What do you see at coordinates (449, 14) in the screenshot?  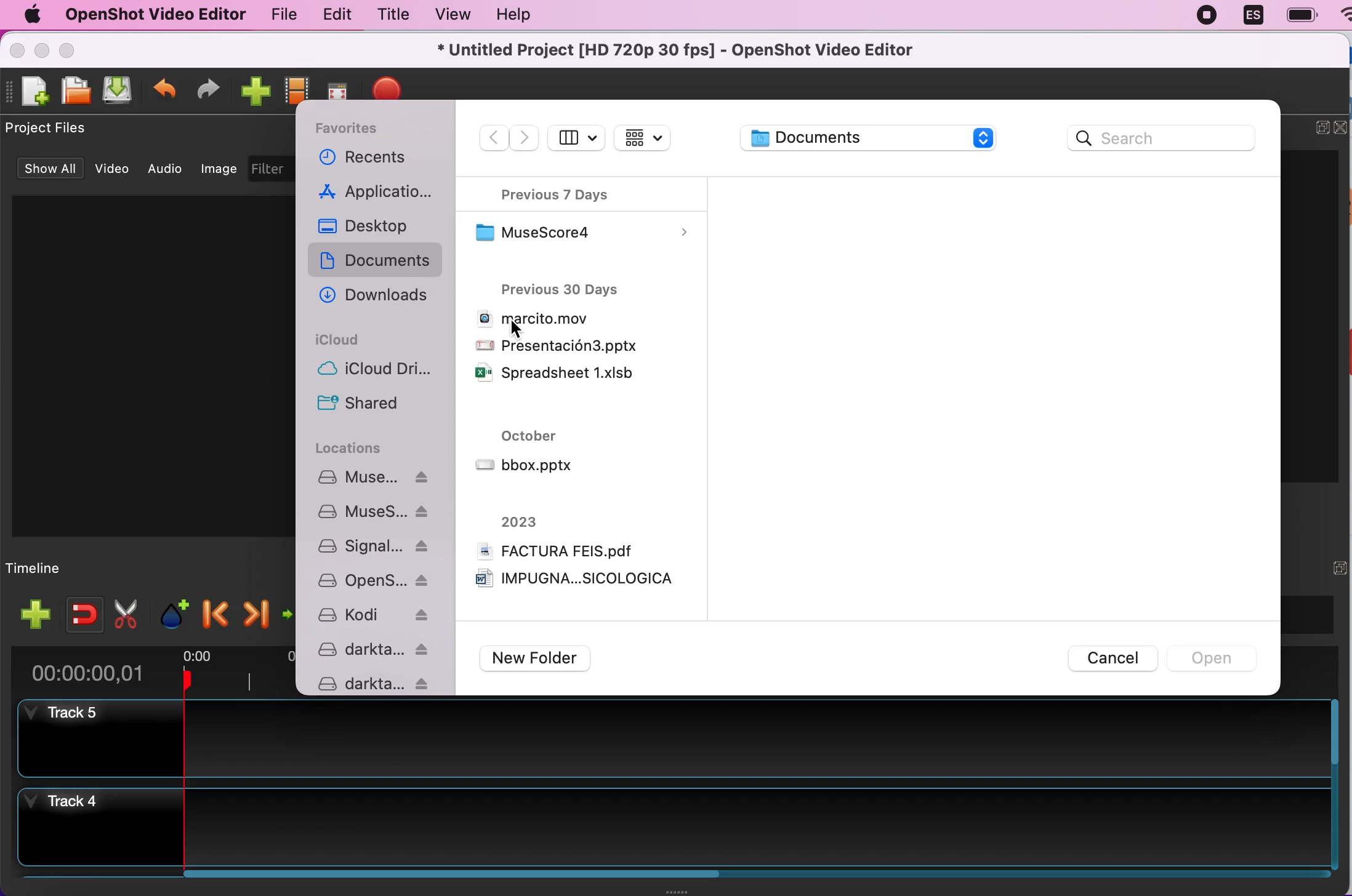 I see `view` at bounding box center [449, 14].